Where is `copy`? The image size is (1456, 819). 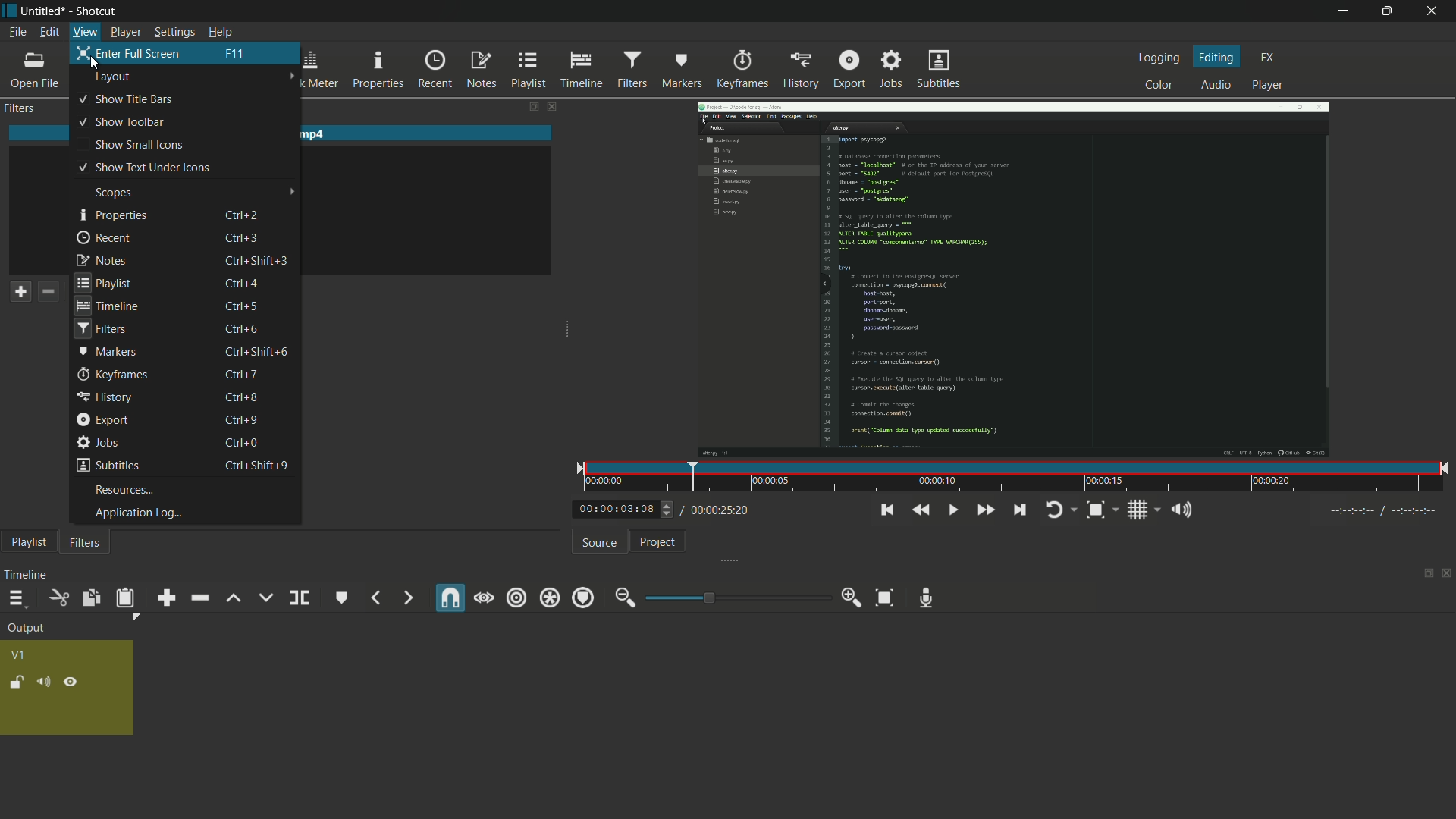
copy is located at coordinates (89, 598).